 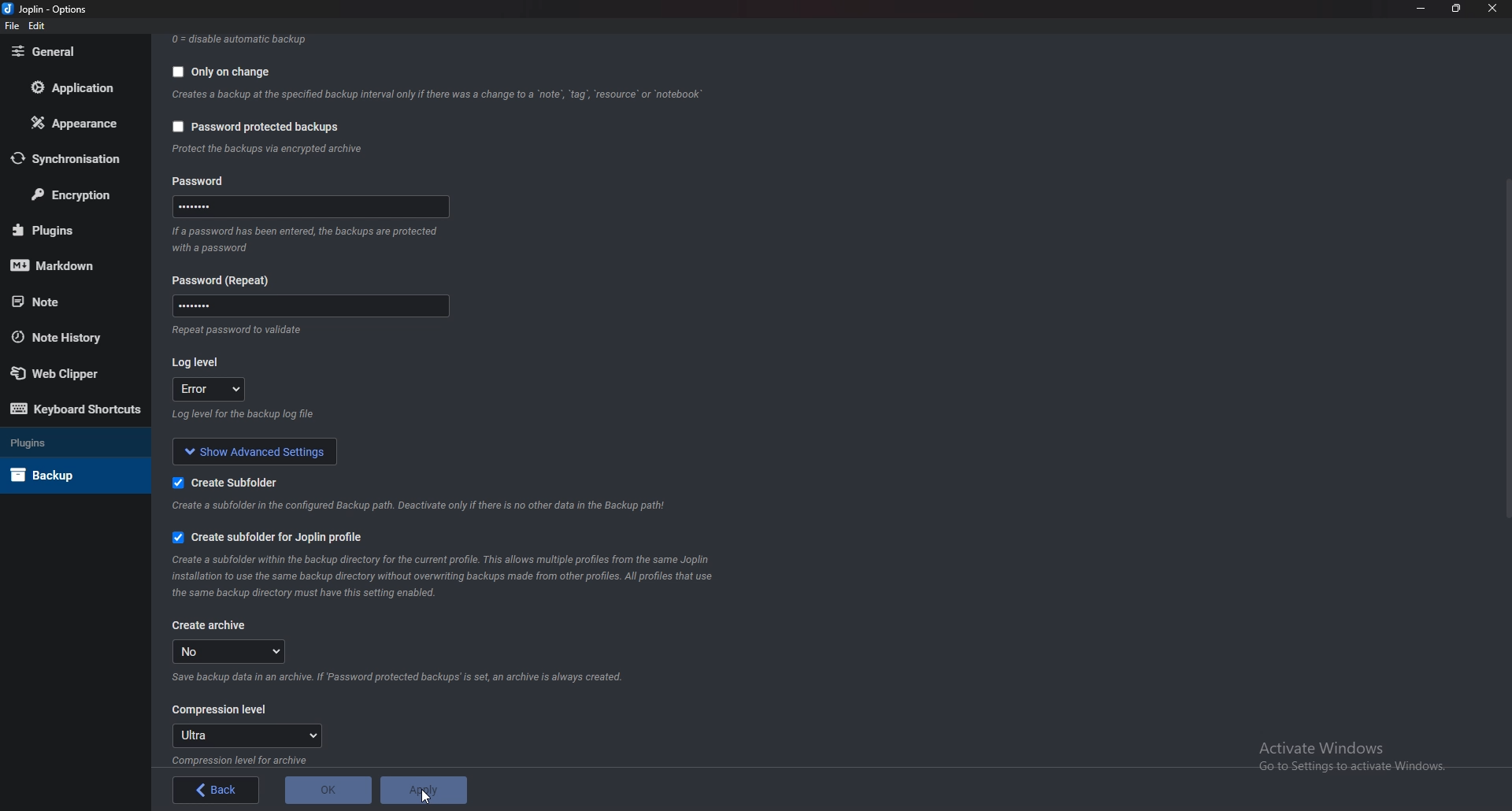 What do you see at coordinates (79, 121) in the screenshot?
I see `Appearance` at bounding box center [79, 121].